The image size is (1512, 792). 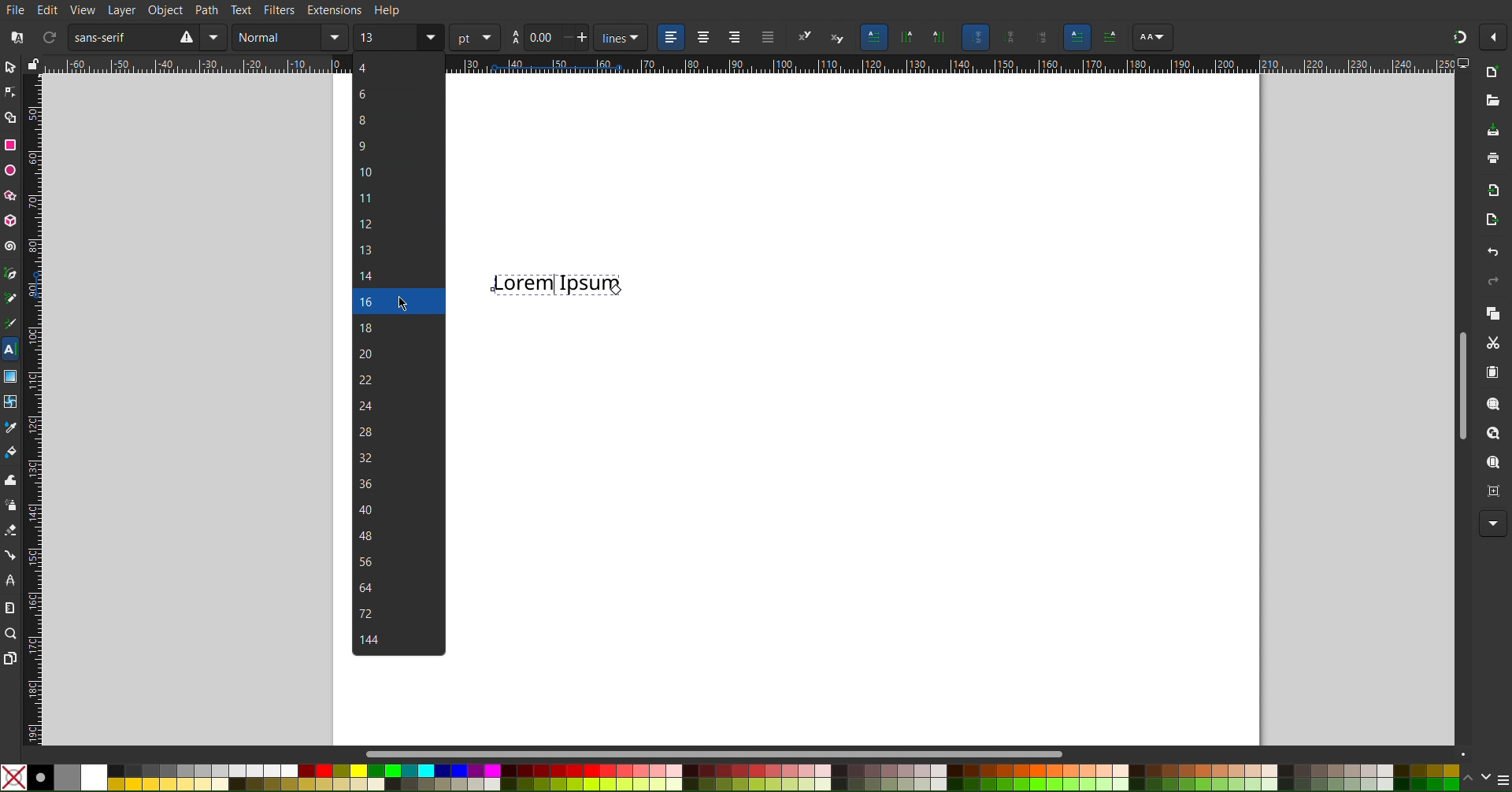 What do you see at coordinates (1489, 220) in the screenshot?
I see `Open Export` at bounding box center [1489, 220].